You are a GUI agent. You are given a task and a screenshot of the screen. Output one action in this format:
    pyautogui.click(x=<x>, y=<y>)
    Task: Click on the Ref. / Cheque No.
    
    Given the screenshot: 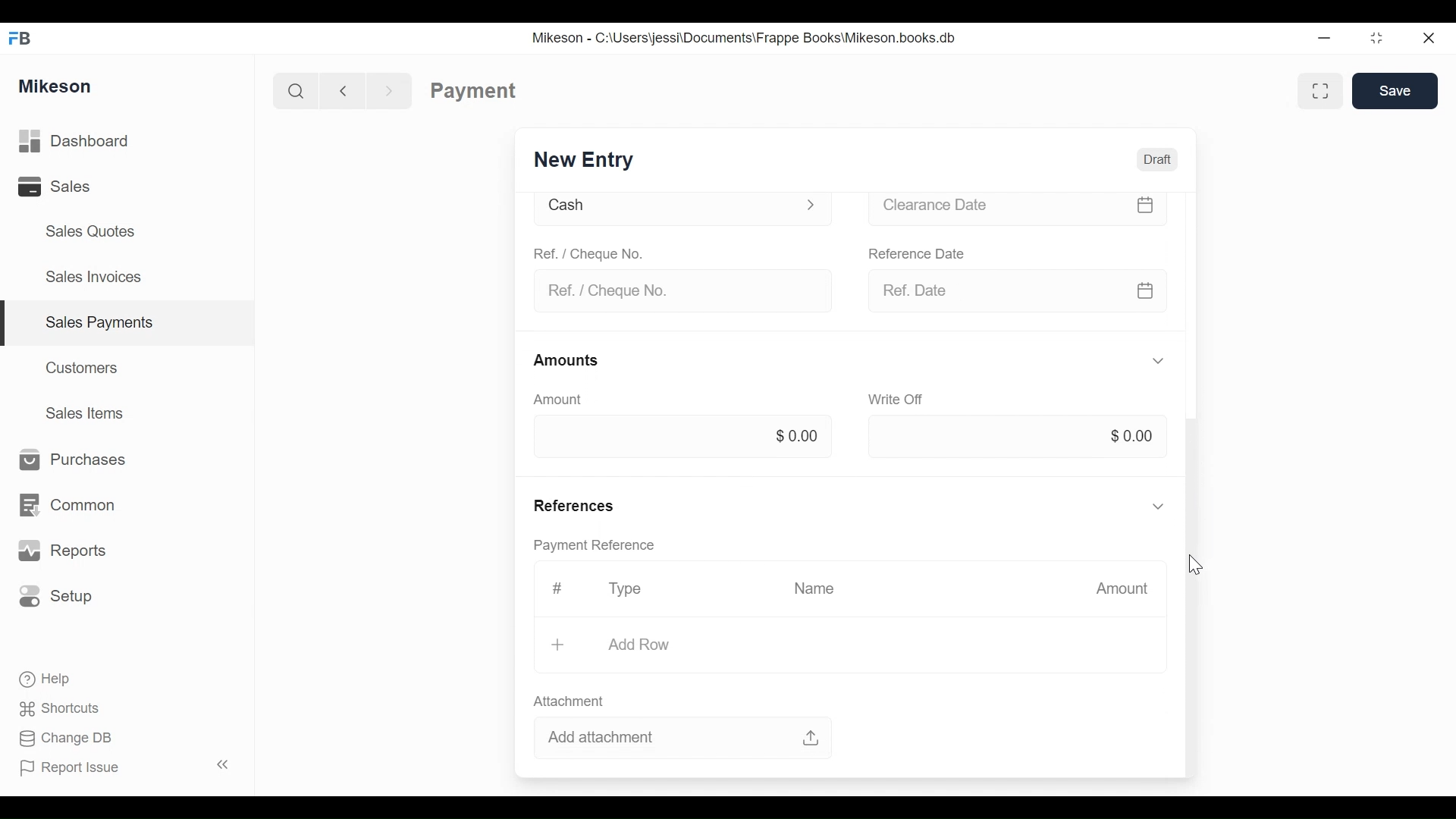 What is the action you would take?
    pyautogui.click(x=678, y=290)
    